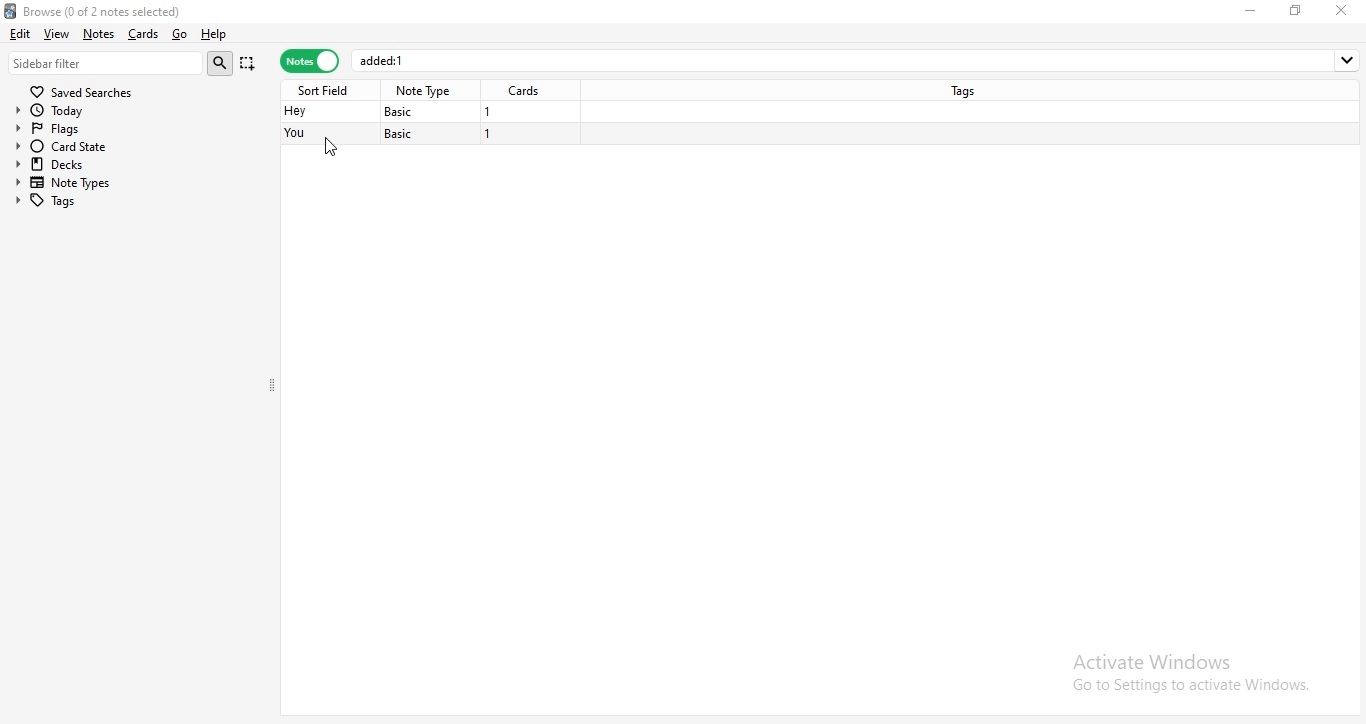 This screenshot has height=724, width=1366. What do you see at coordinates (85, 89) in the screenshot?
I see `saves searches` at bounding box center [85, 89].